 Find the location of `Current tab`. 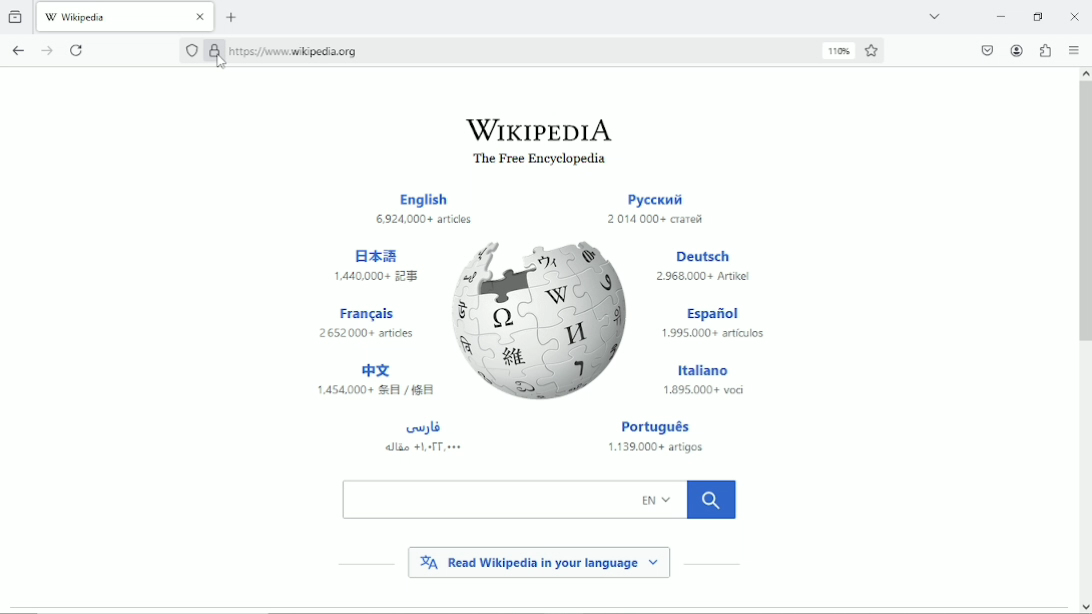

Current tab is located at coordinates (126, 15).